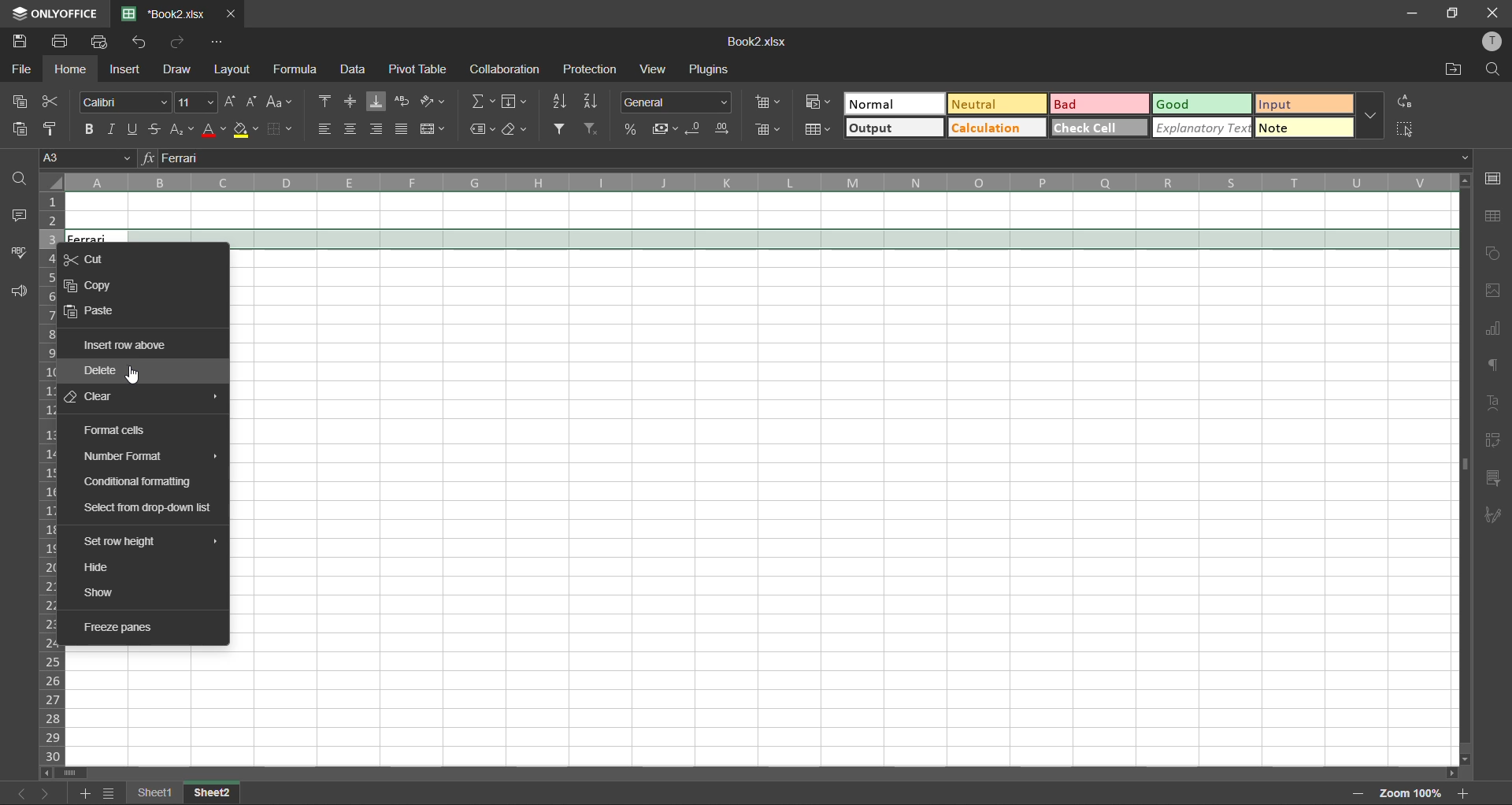 This screenshot has height=805, width=1512. Describe the element at coordinates (562, 129) in the screenshot. I see `filter` at that location.